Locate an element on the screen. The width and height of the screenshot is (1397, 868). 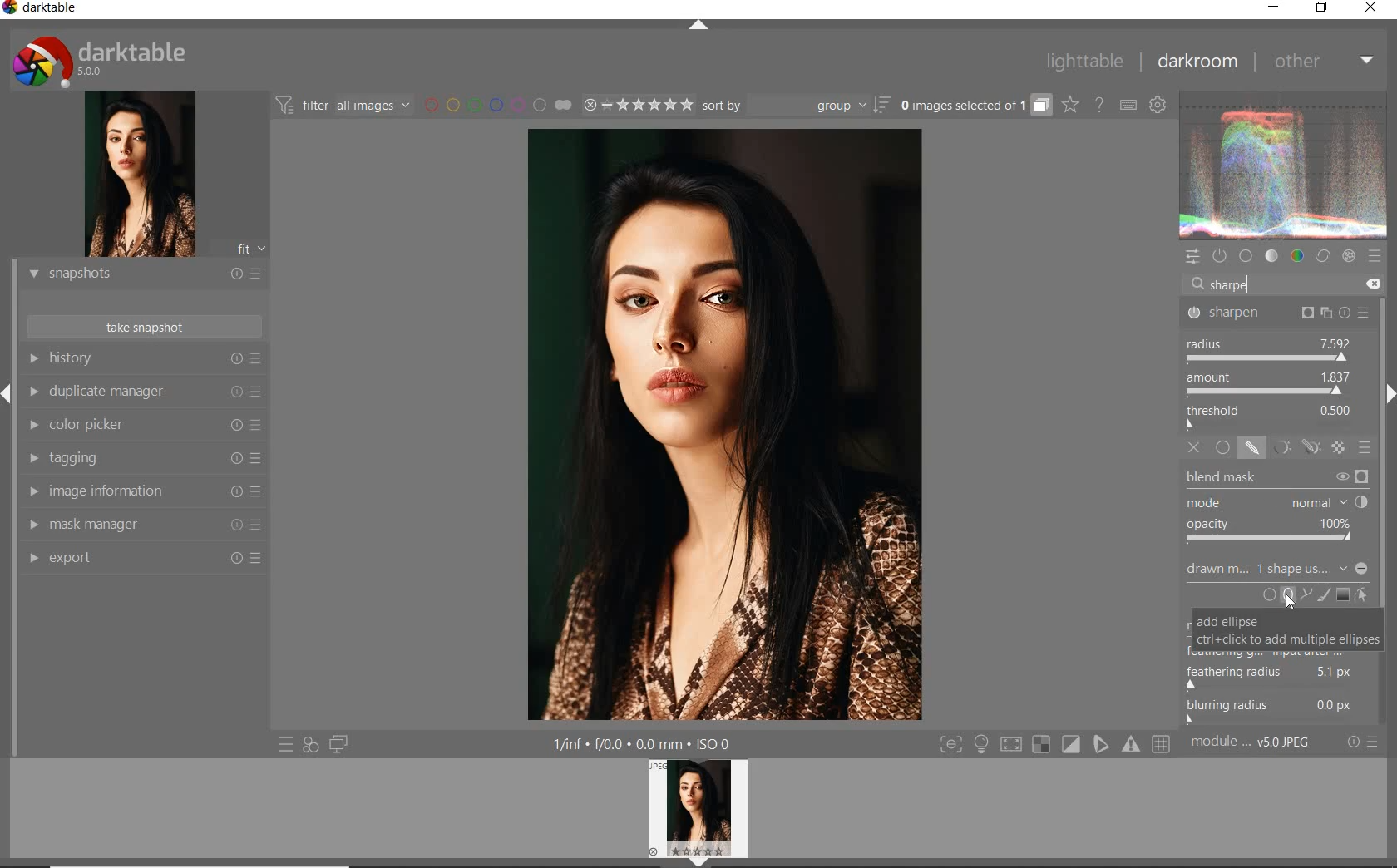
AMOUNT is located at coordinates (1269, 383).